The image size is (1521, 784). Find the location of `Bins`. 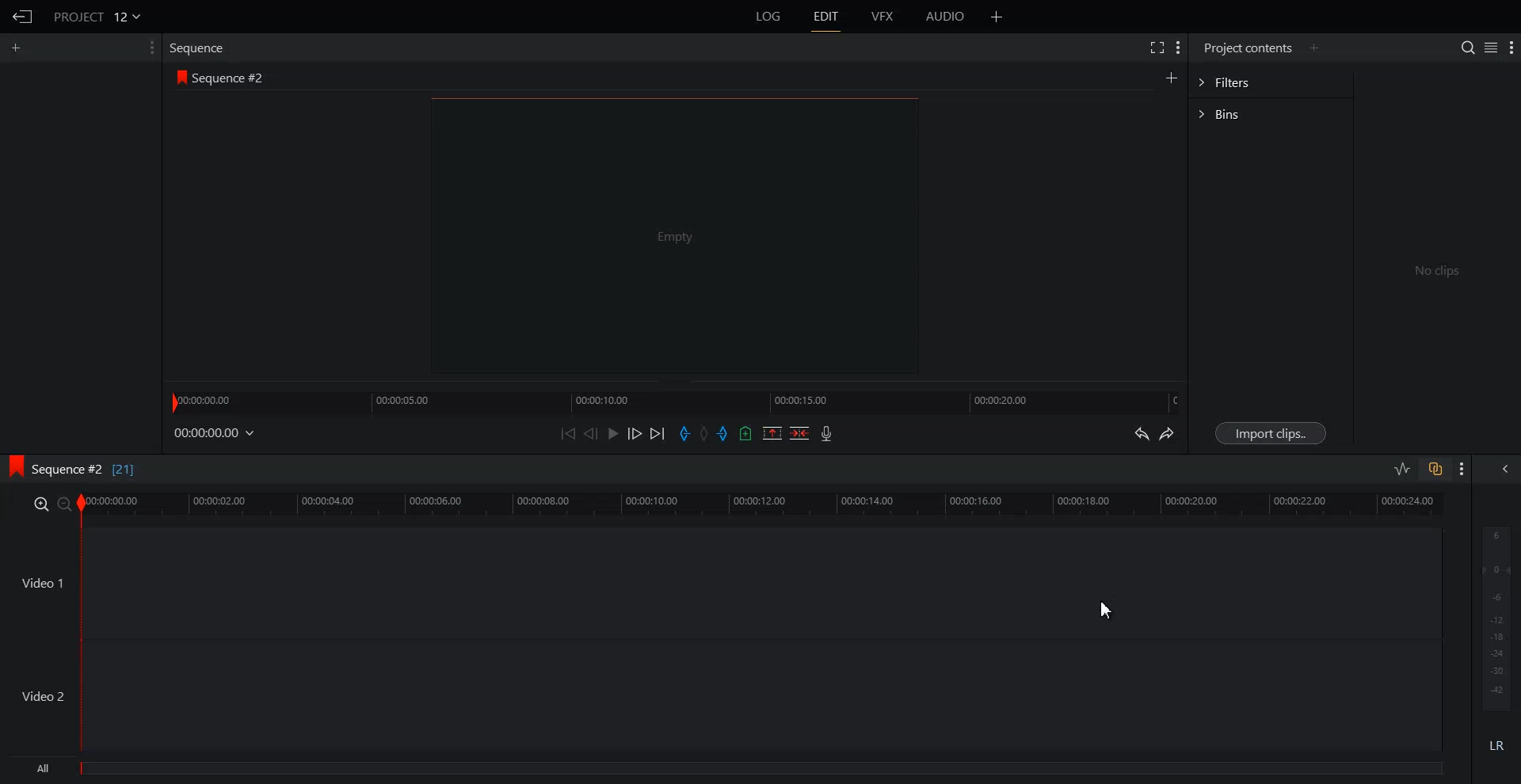

Bins is located at coordinates (1271, 112).